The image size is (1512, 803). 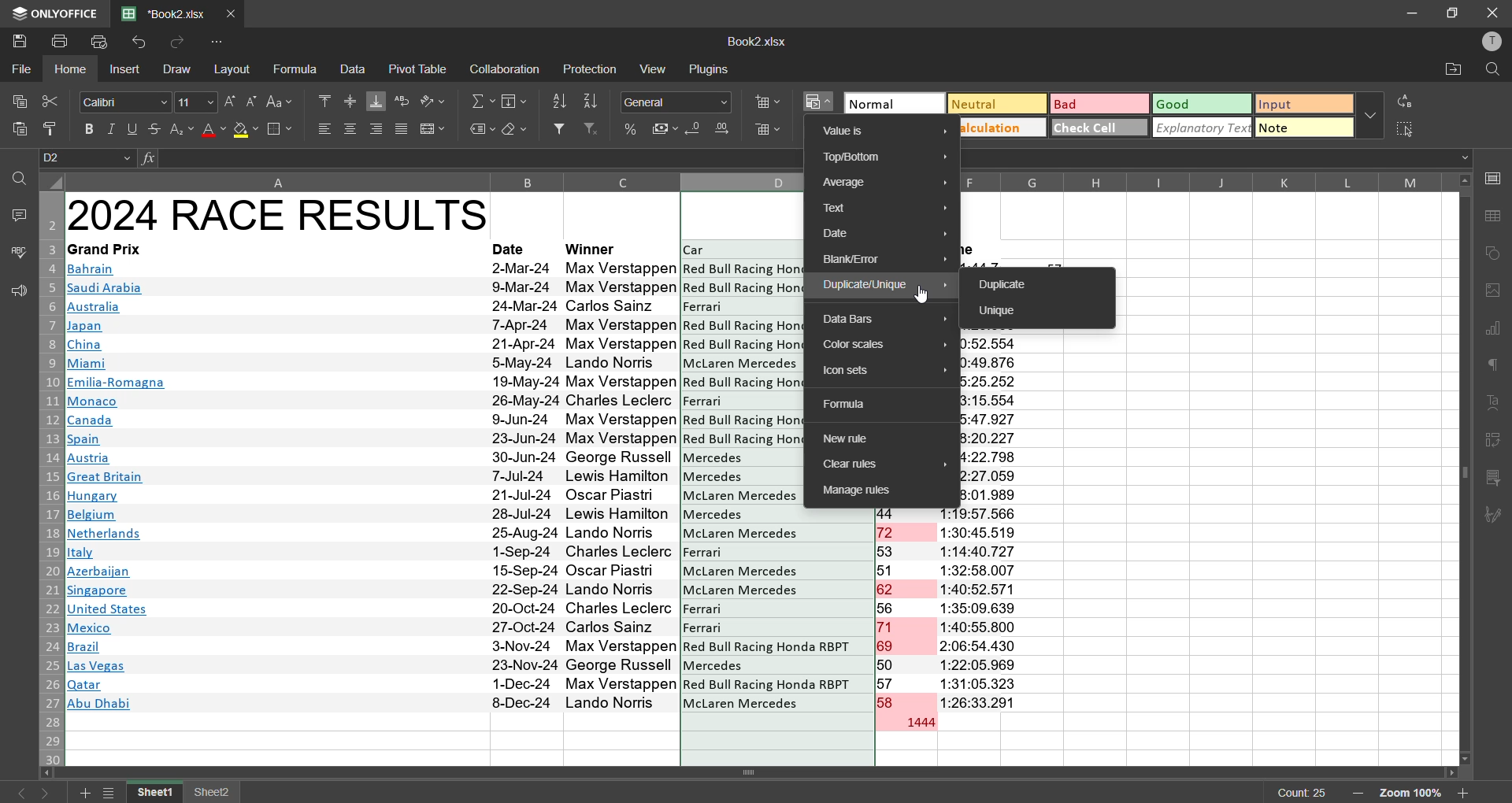 I want to click on select all, so click(x=1406, y=128).